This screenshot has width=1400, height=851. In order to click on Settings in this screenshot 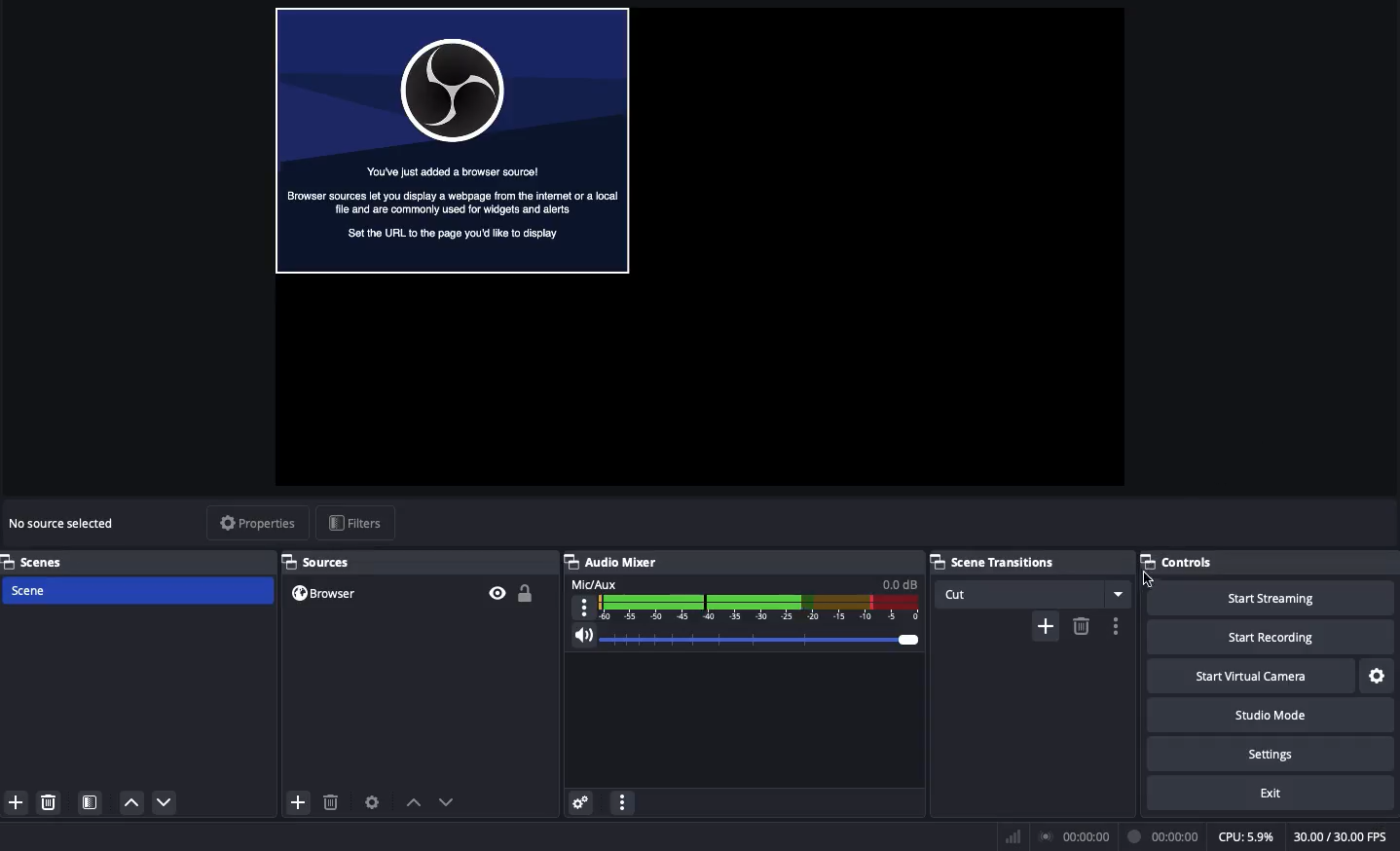, I will do `click(1378, 676)`.